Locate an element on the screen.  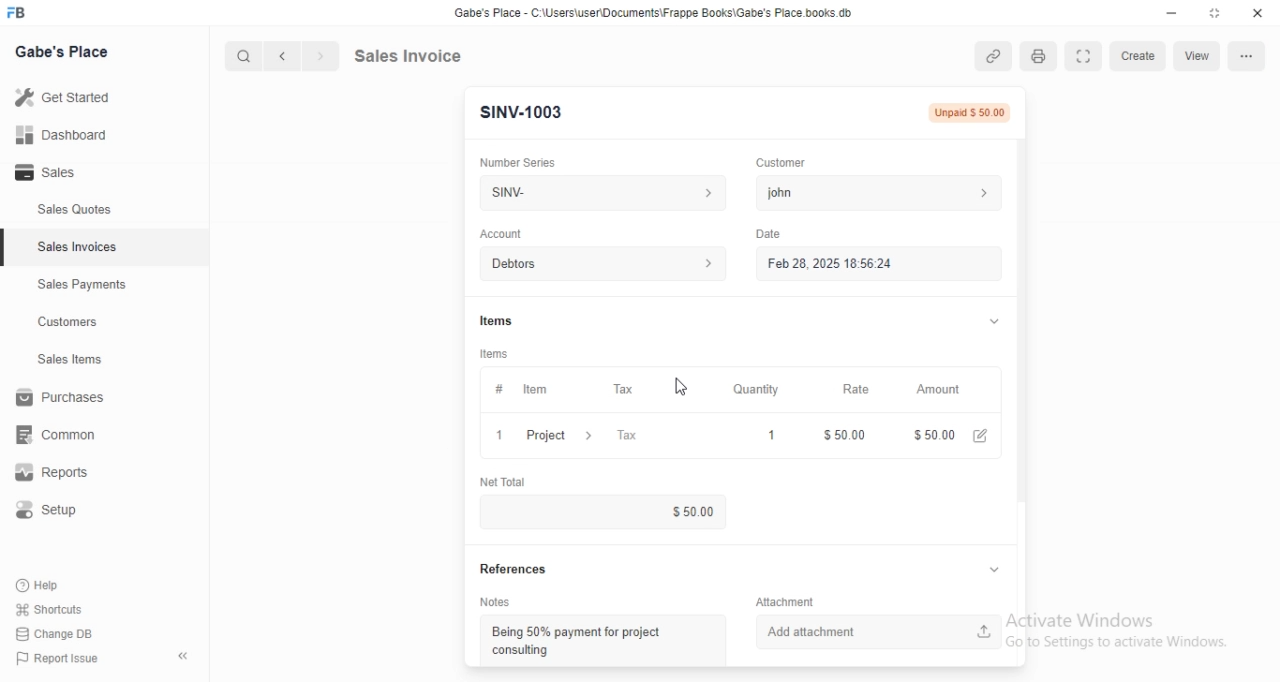
Tax is located at coordinates (628, 390).